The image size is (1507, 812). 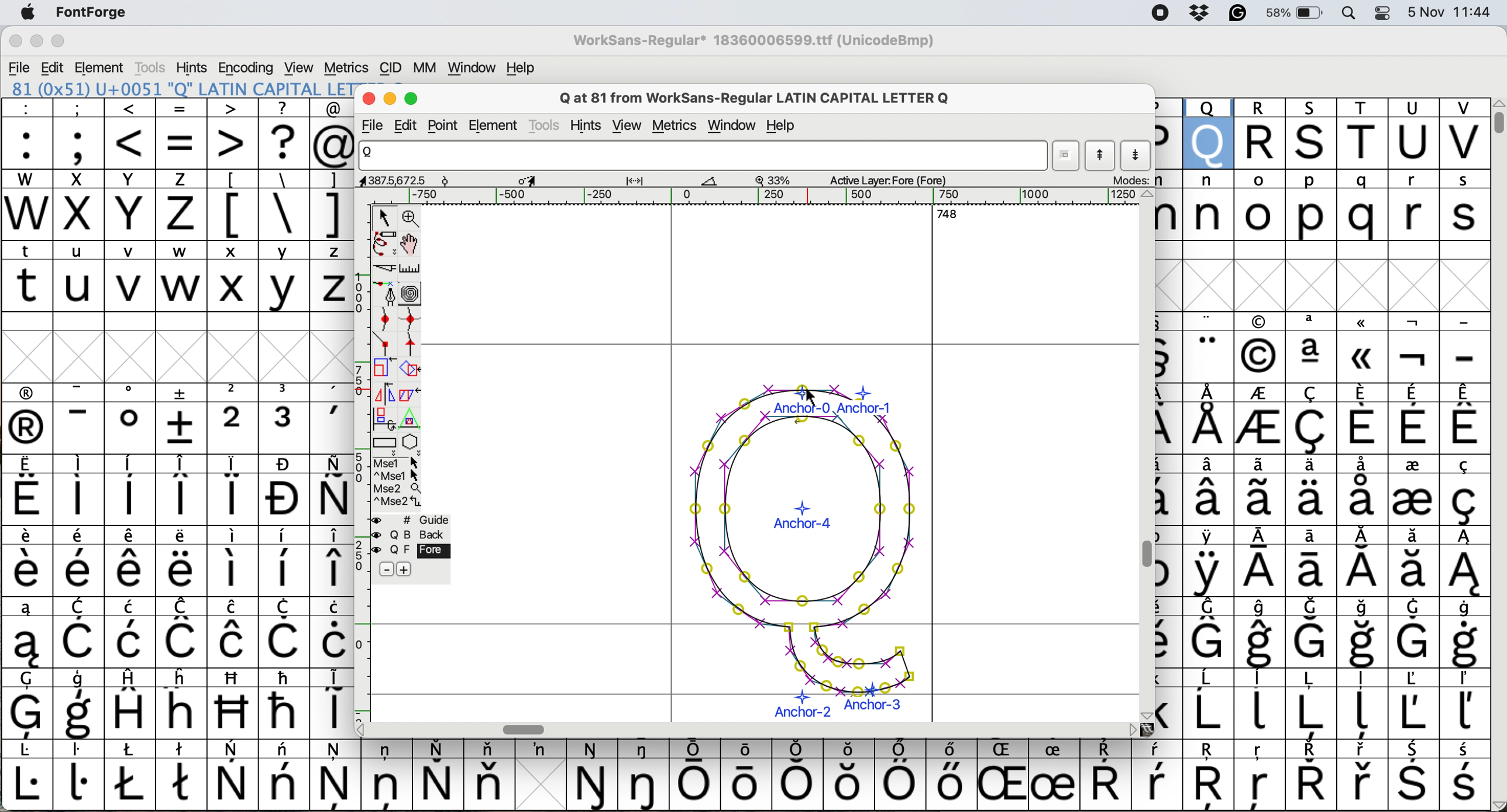 What do you see at coordinates (375, 126) in the screenshot?
I see `file` at bounding box center [375, 126].